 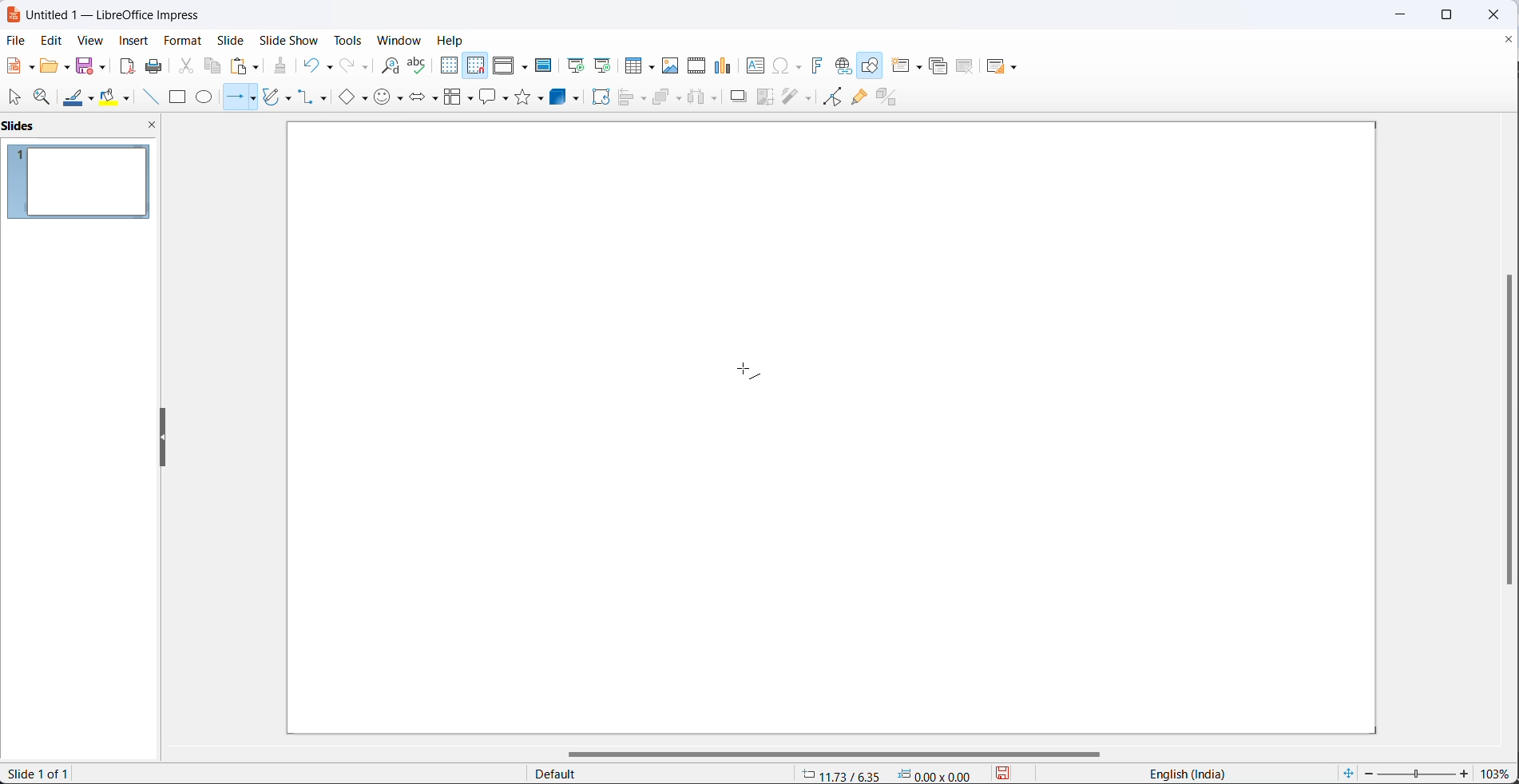 I want to click on rotate, so click(x=601, y=98).